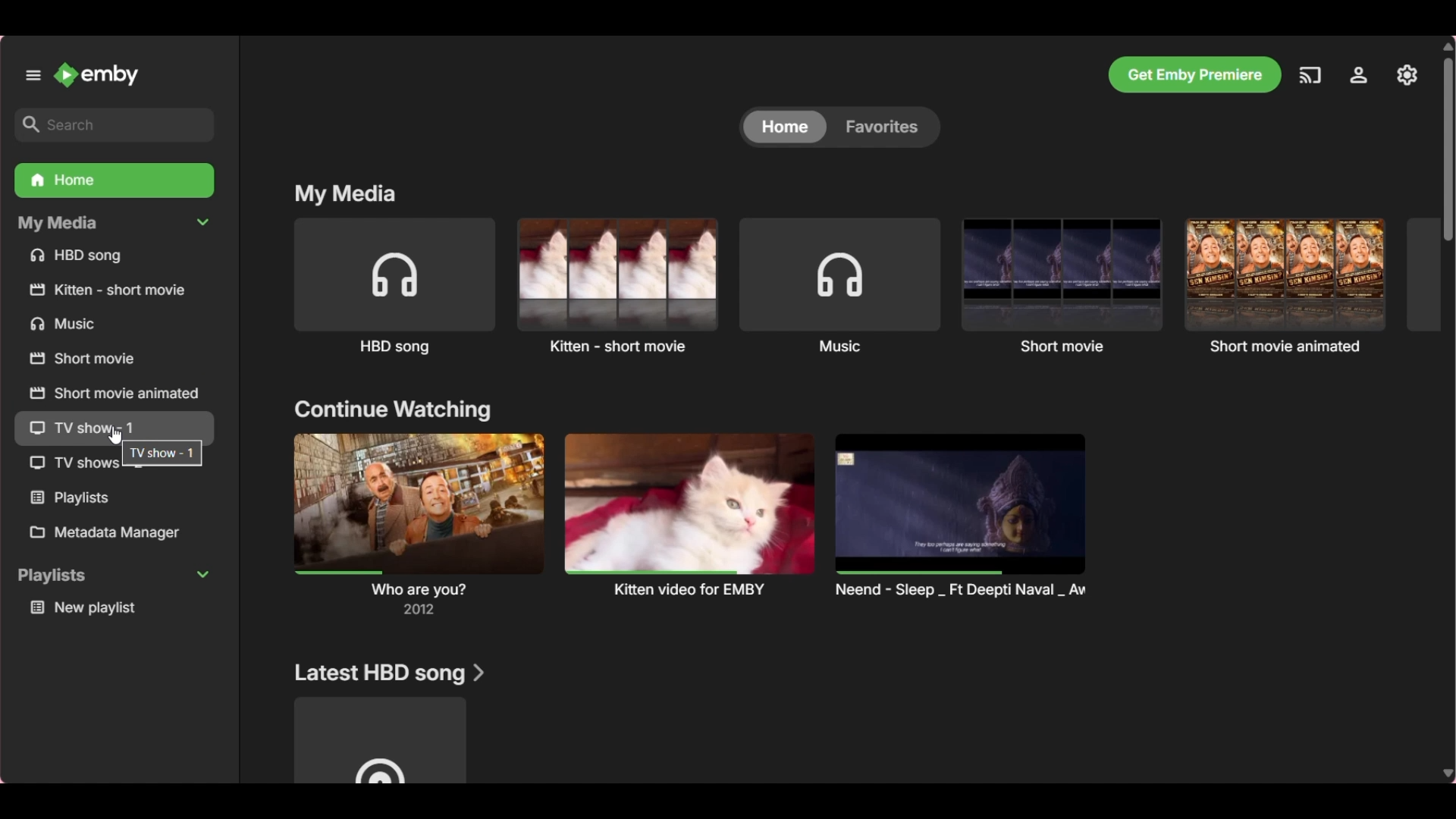  What do you see at coordinates (115, 607) in the screenshot?
I see `Media under Playlists` at bounding box center [115, 607].